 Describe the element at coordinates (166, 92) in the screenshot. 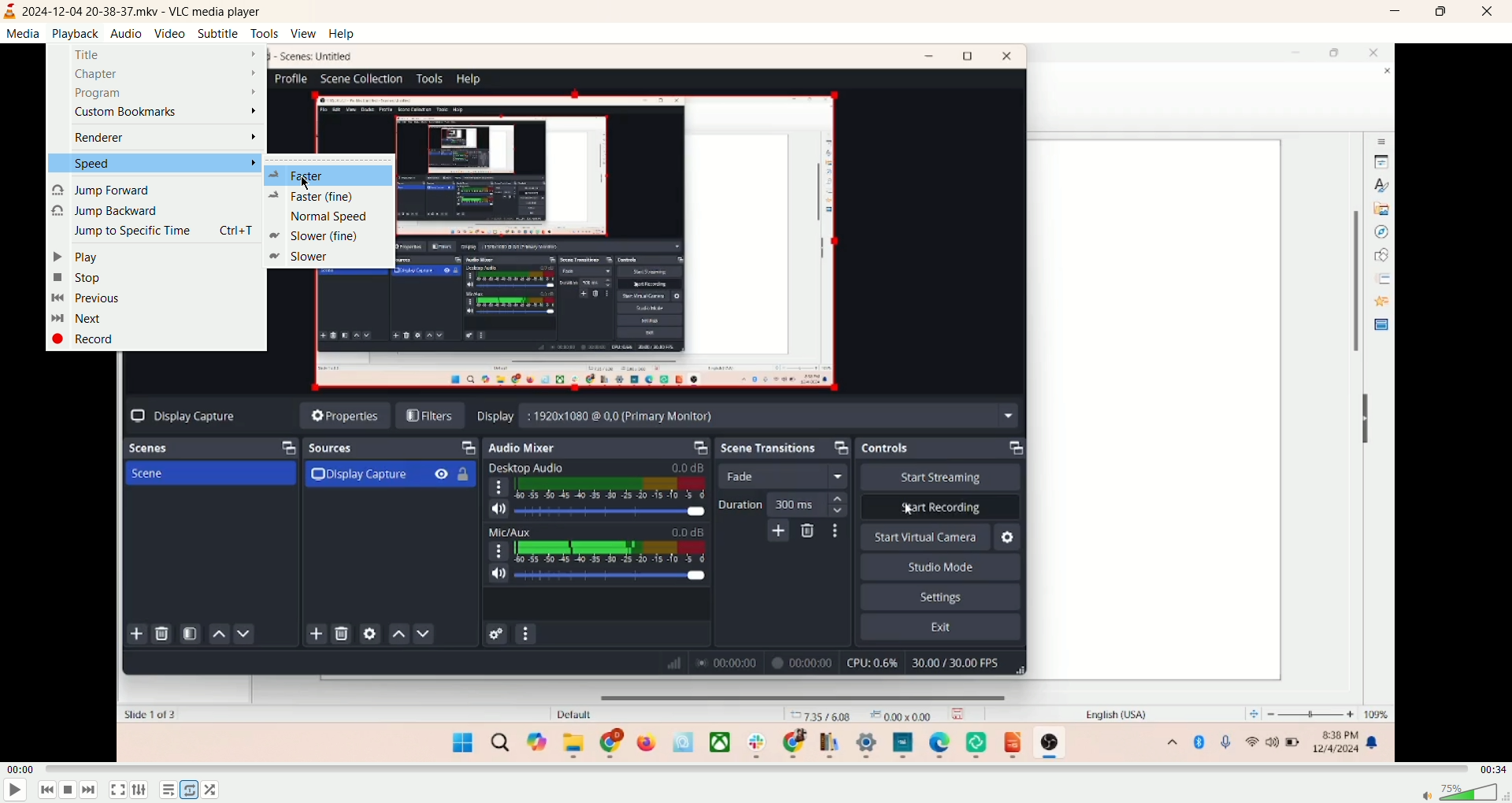

I see `program` at that location.